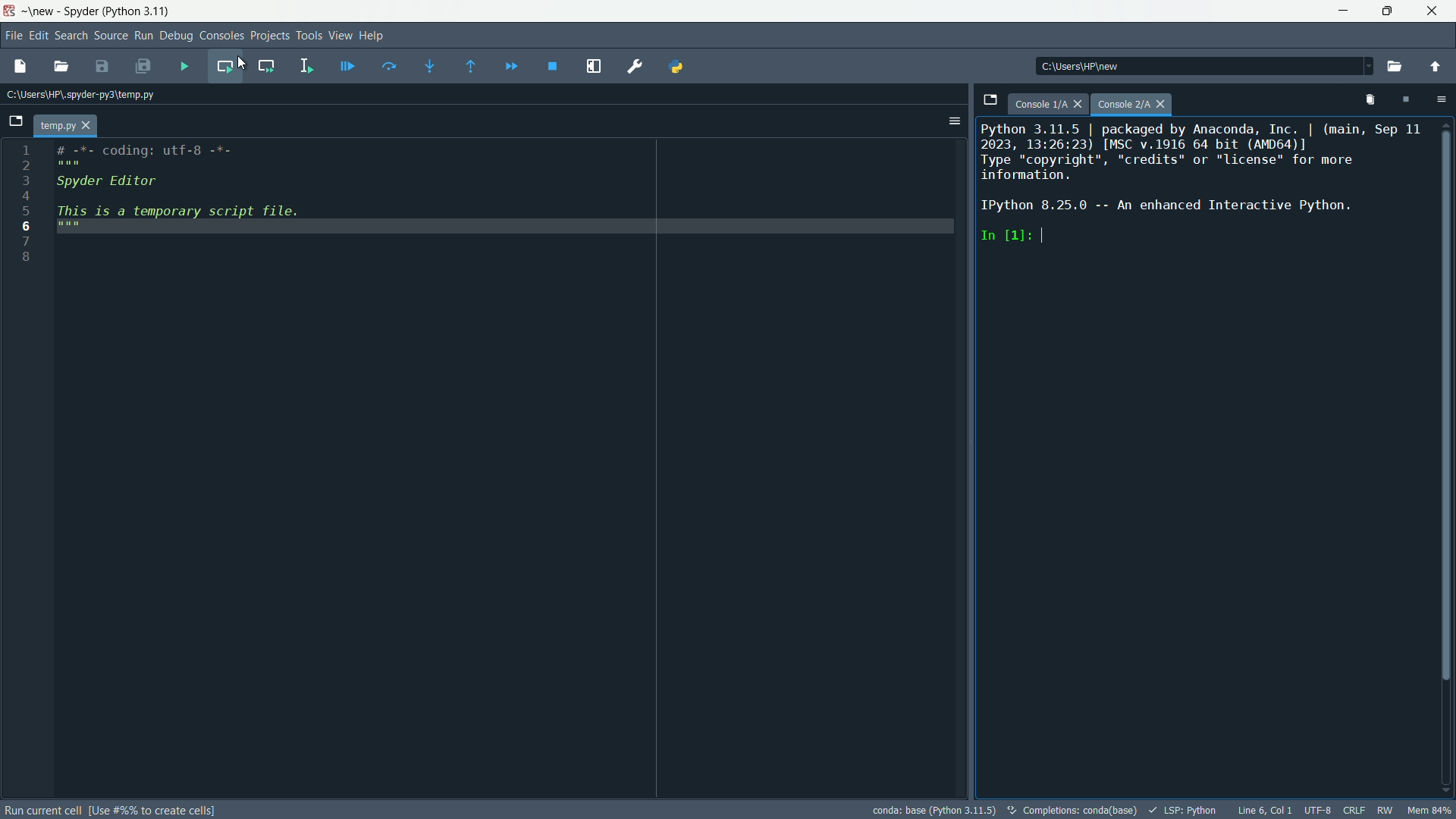  Describe the element at coordinates (505, 66) in the screenshot. I see `continue execution until next breakpoint` at that location.